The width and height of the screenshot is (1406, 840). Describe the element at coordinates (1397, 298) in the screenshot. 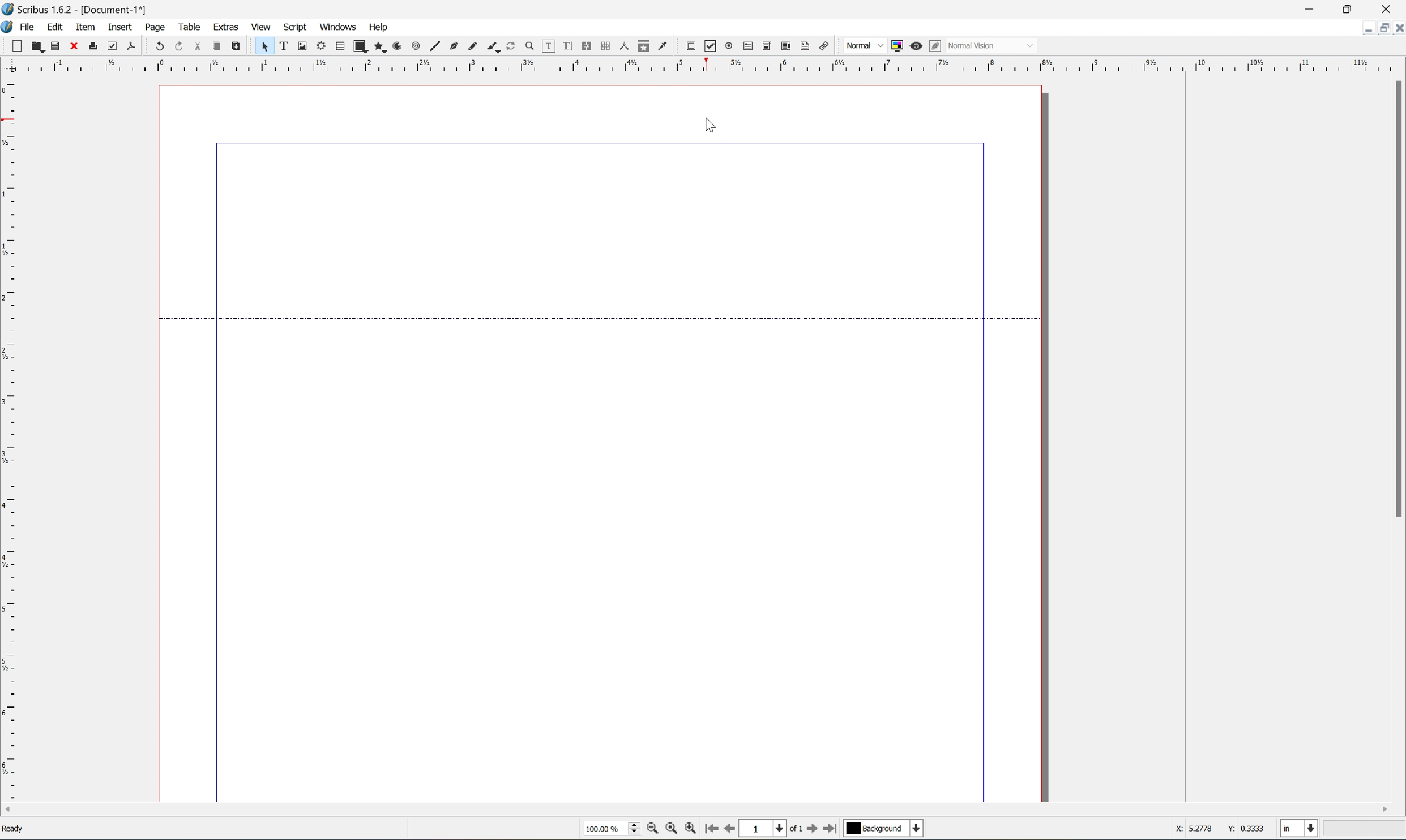

I see `scroll bar` at that location.